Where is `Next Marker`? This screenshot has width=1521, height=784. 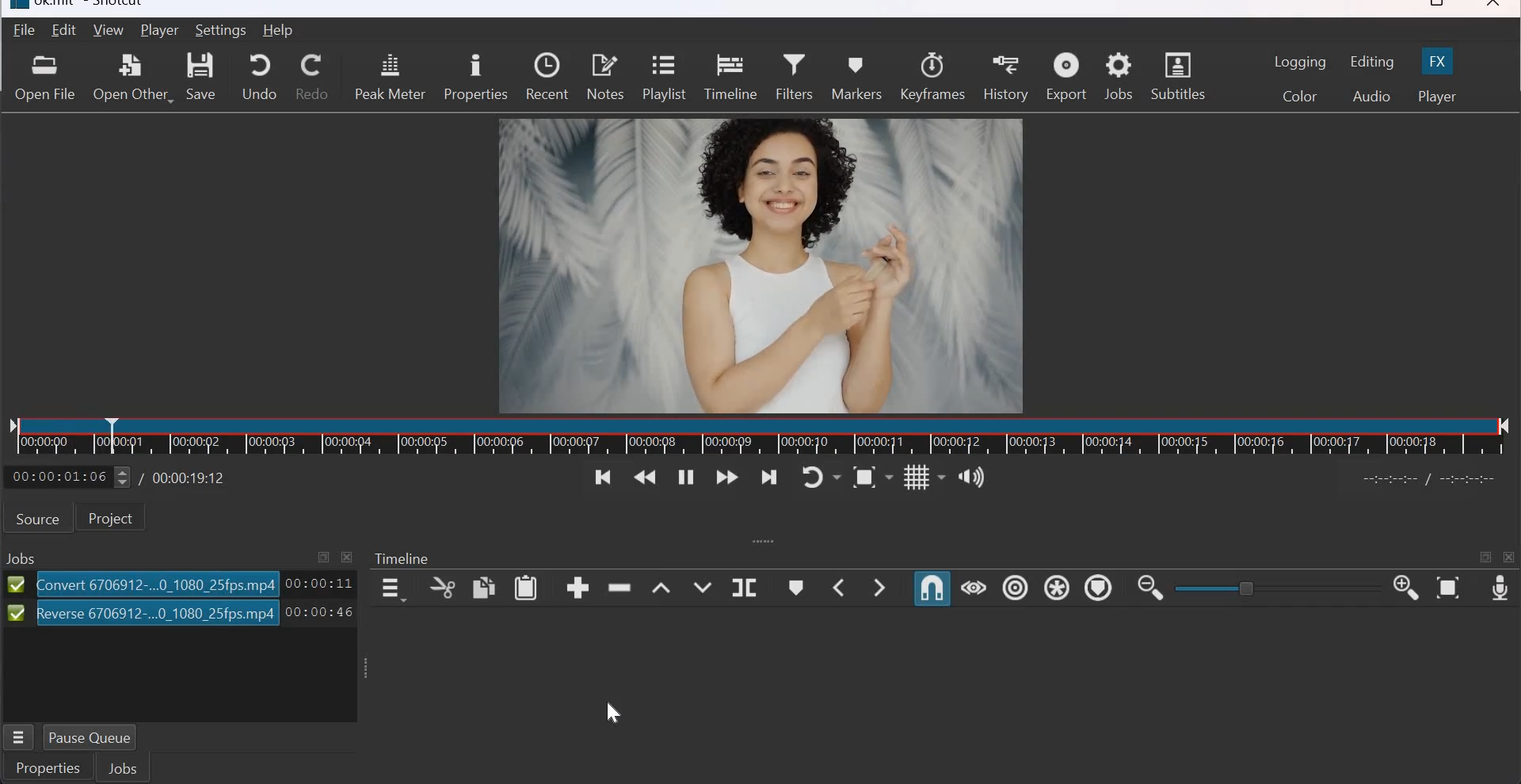 Next Marker is located at coordinates (882, 586).